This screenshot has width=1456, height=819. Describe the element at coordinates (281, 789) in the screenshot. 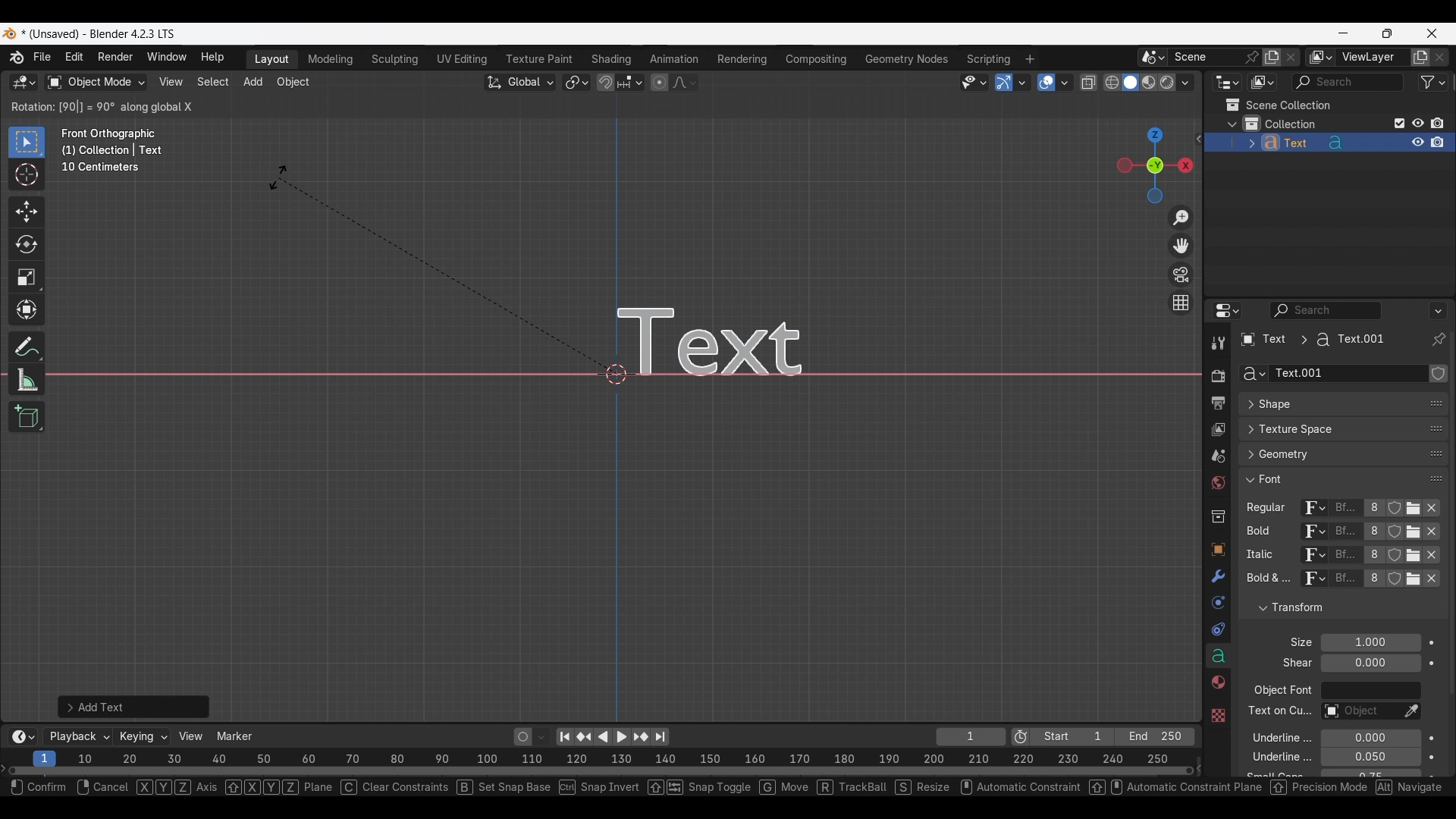

I see `xyz plane` at that location.